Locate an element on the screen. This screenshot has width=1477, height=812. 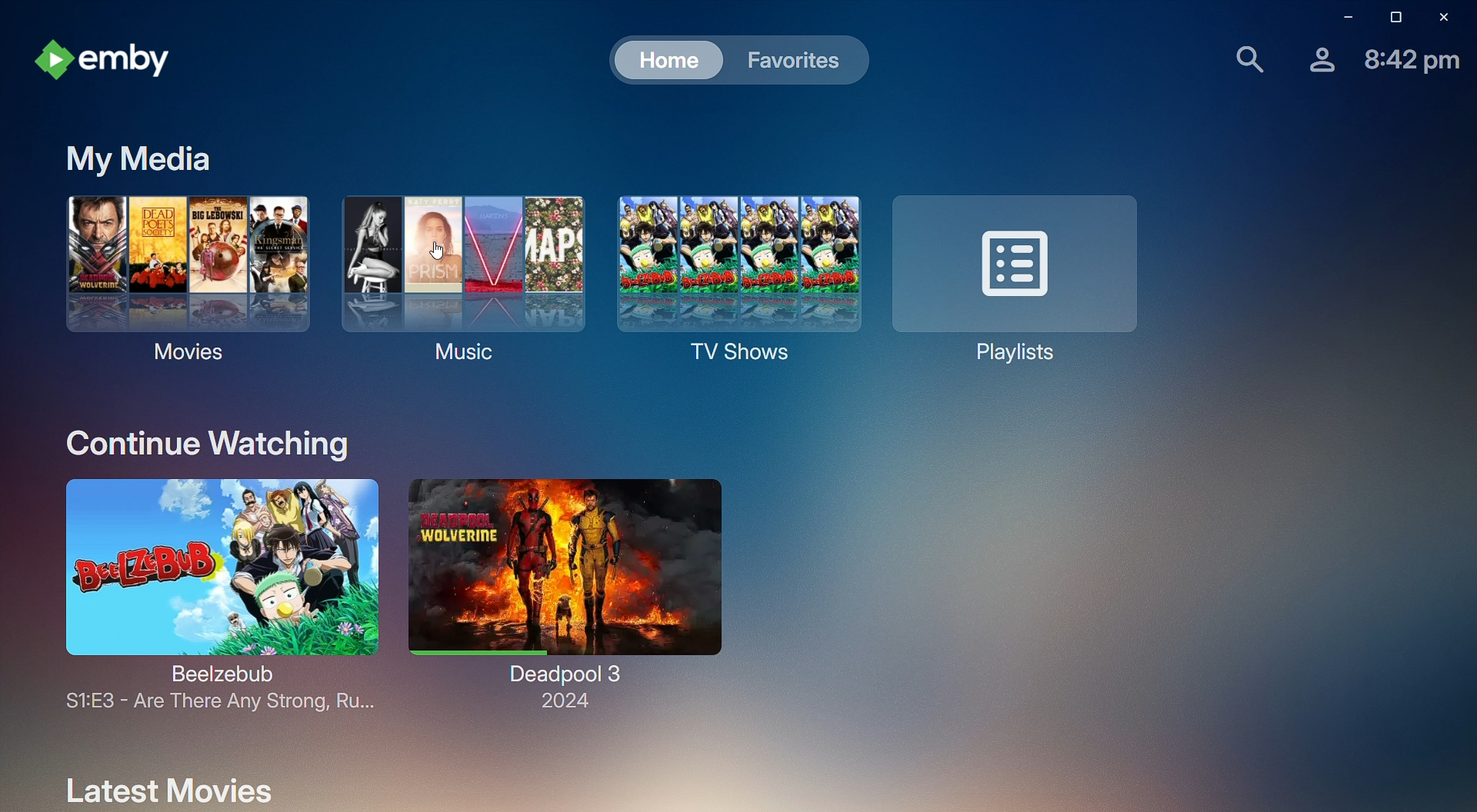
Close is located at coordinates (1441, 17).